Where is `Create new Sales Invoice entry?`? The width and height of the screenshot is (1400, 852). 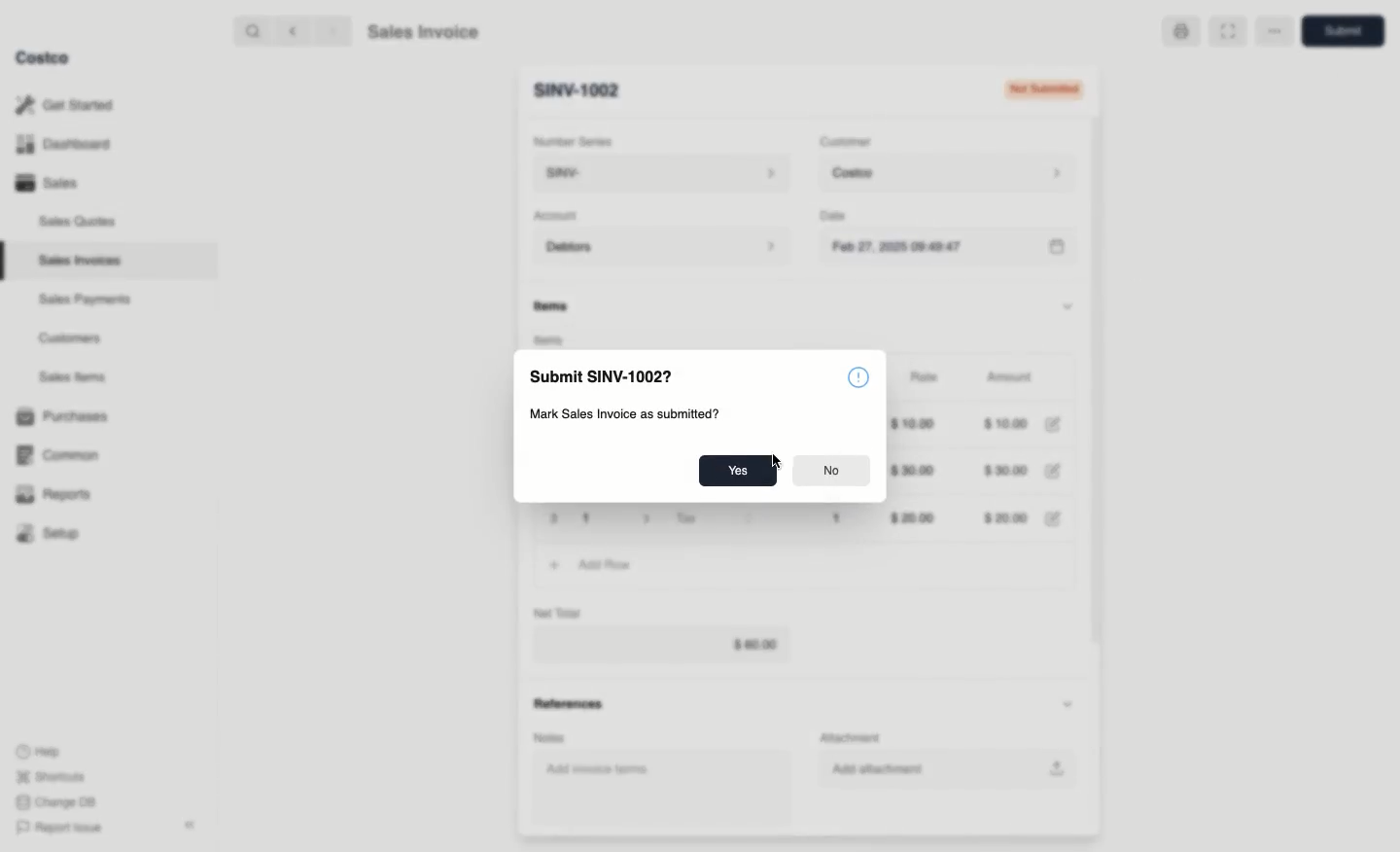
Create new Sales Invoice entry? is located at coordinates (626, 414).